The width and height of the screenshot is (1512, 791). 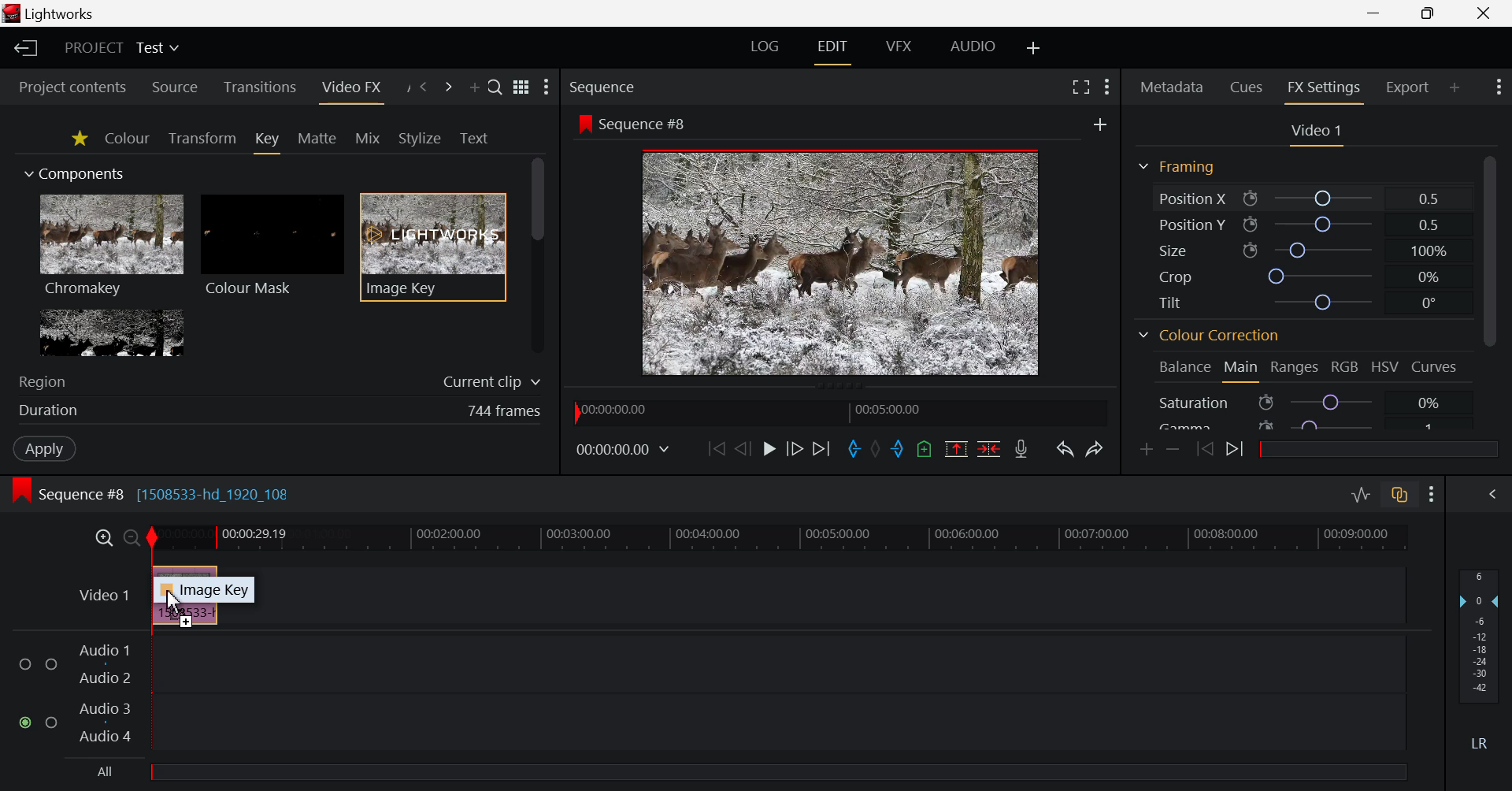 What do you see at coordinates (103, 737) in the screenshot?
I see `Audio 4` at bounding box center [103, 737].